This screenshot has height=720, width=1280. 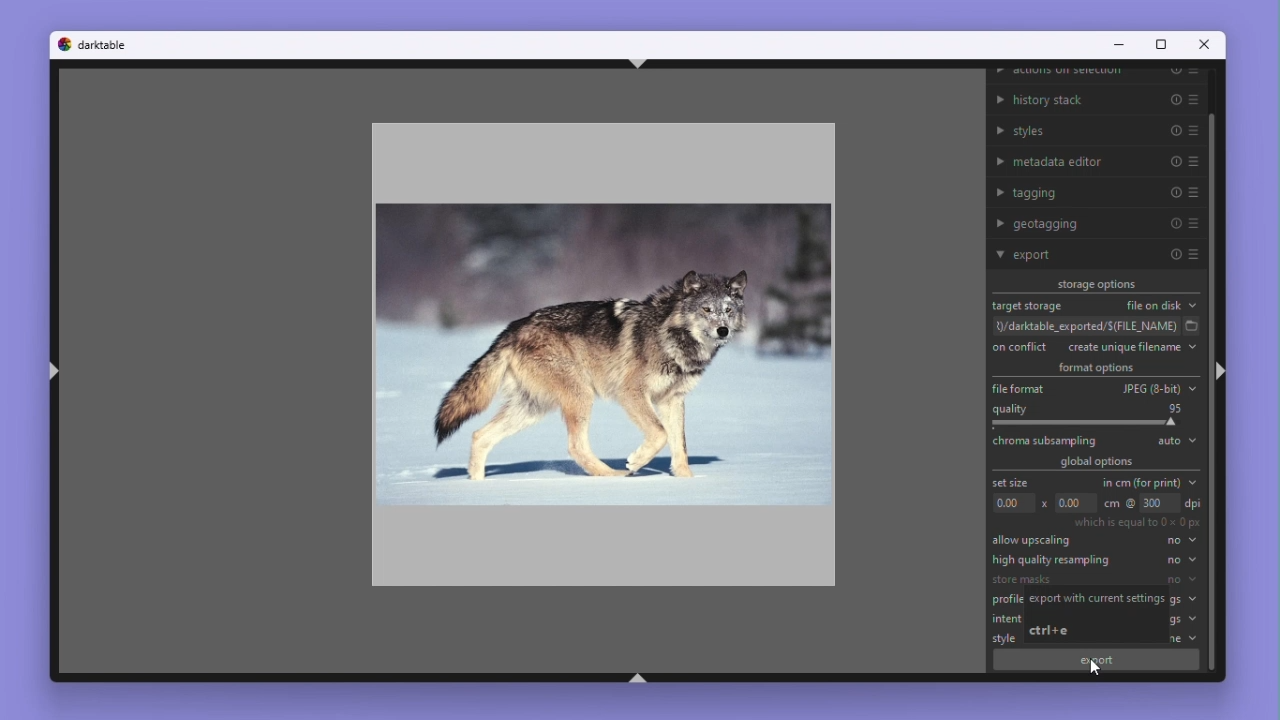 I want to click on Metadata editor, so click(x=1099, y=160).